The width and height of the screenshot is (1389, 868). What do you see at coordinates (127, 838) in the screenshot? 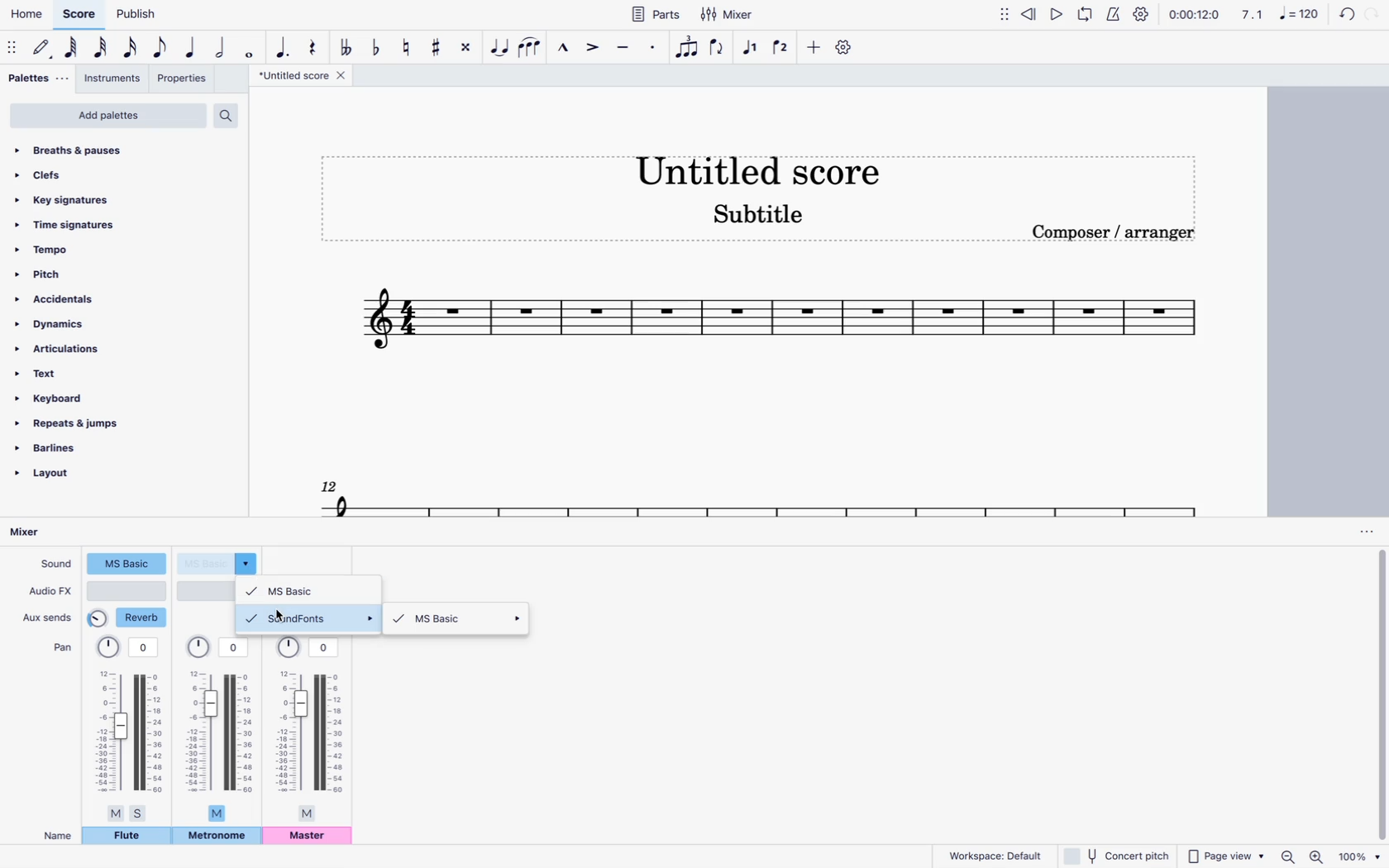
I see `flute` at bounding box center [127, 838].